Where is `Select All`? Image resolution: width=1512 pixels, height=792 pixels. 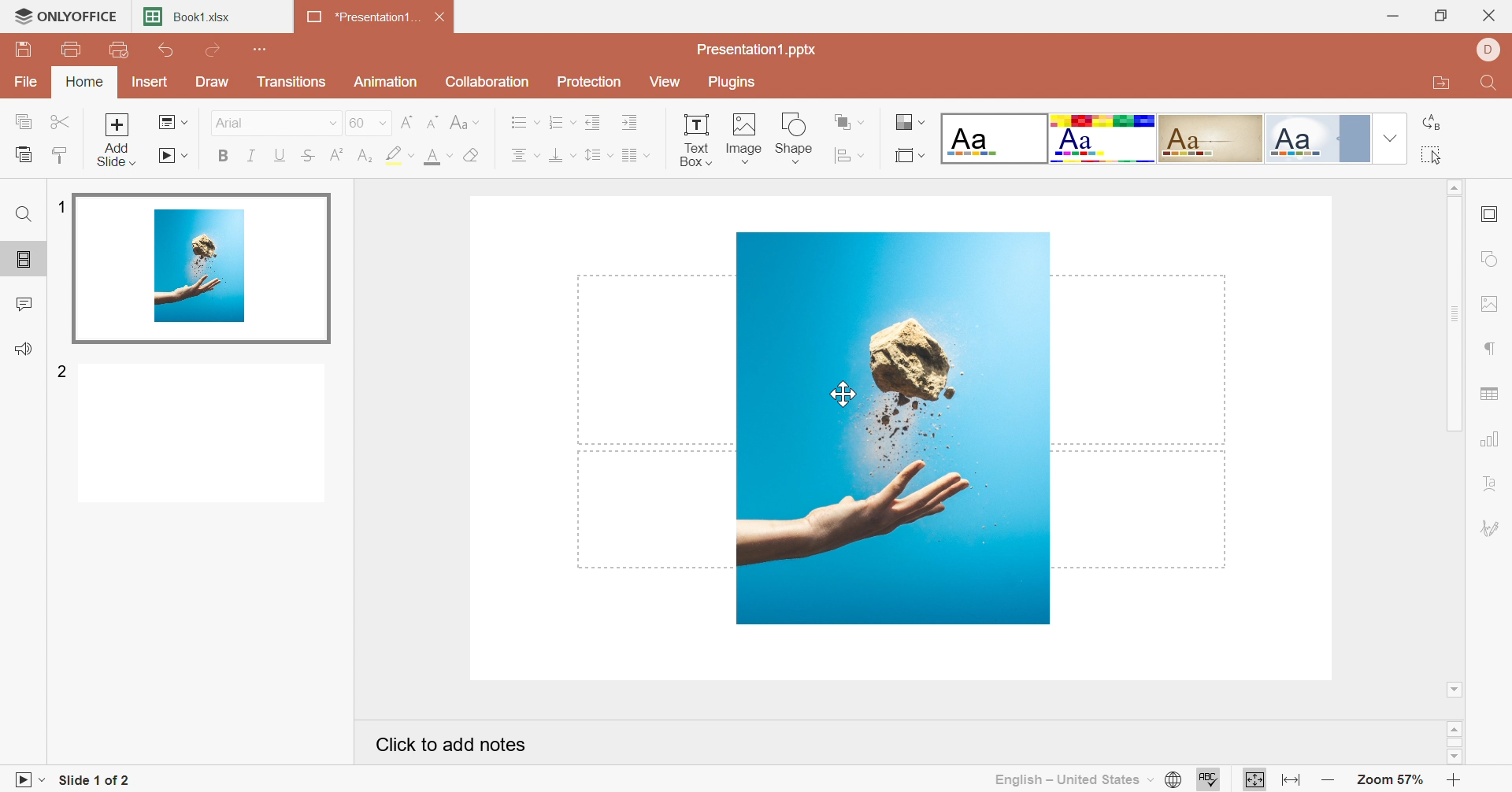
Select All is located at coordinates (1432, 156).